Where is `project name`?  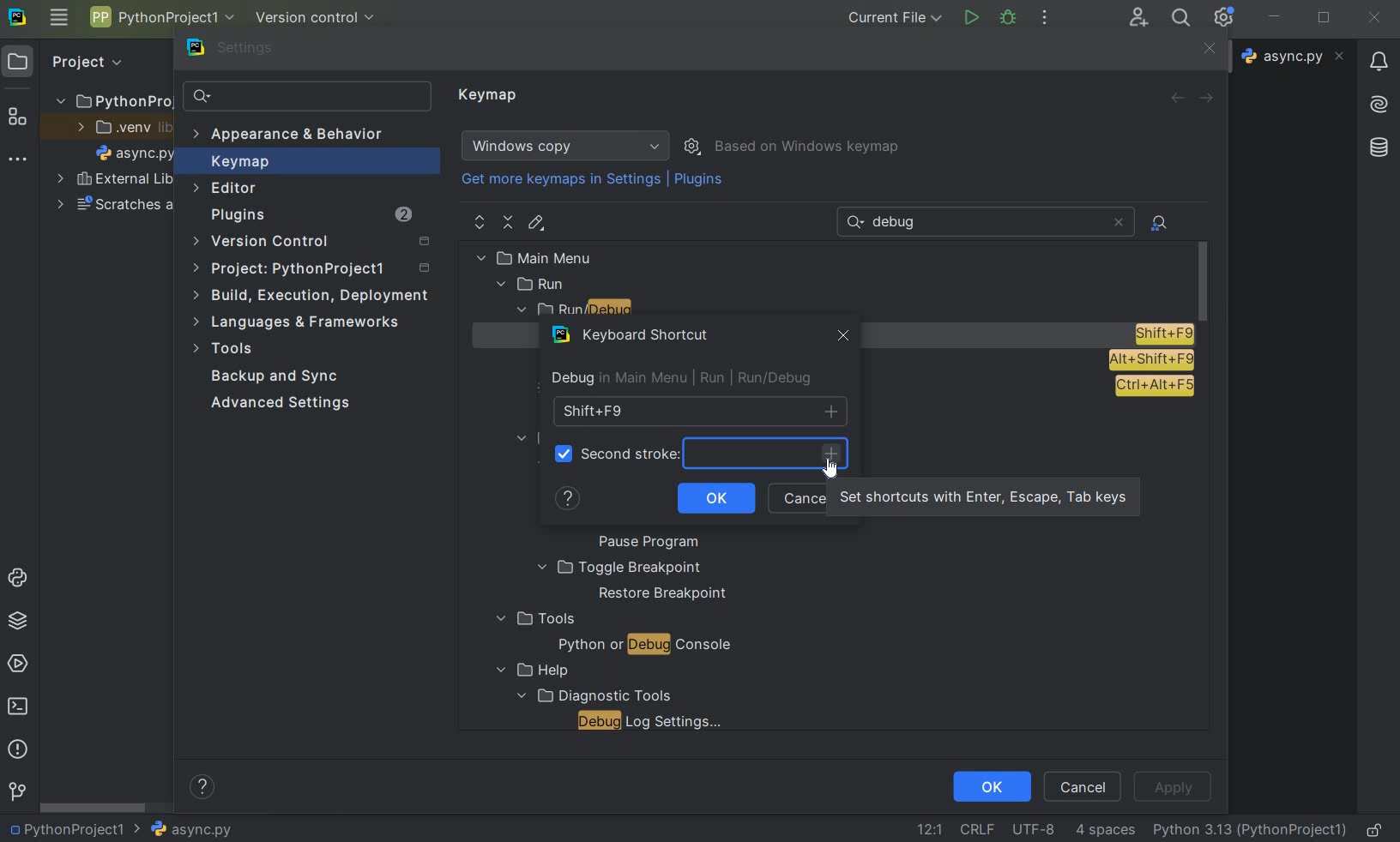 project name is located at coordinates (160, 17).